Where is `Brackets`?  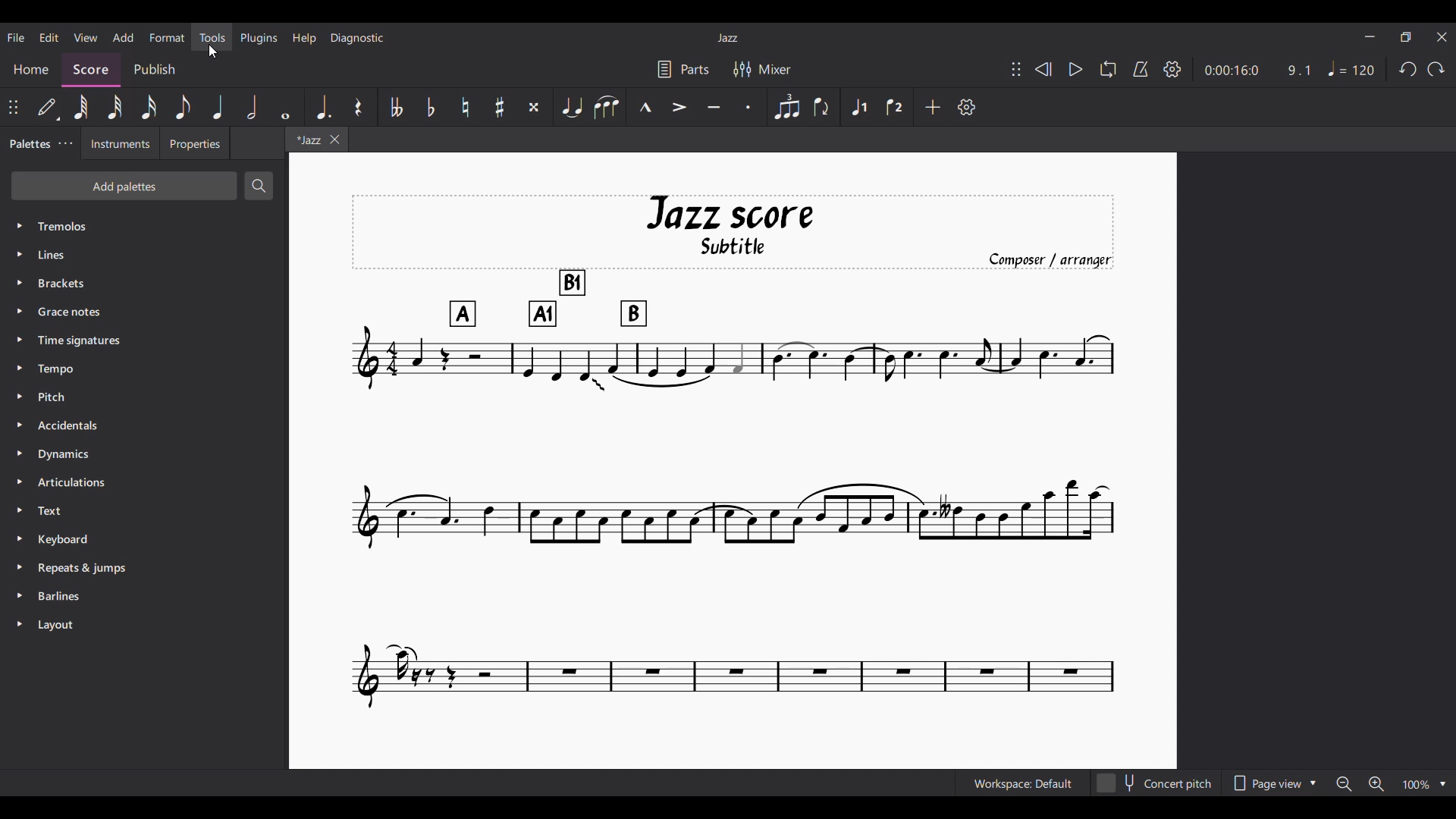
Brackets is located at coordinates (144, 283).